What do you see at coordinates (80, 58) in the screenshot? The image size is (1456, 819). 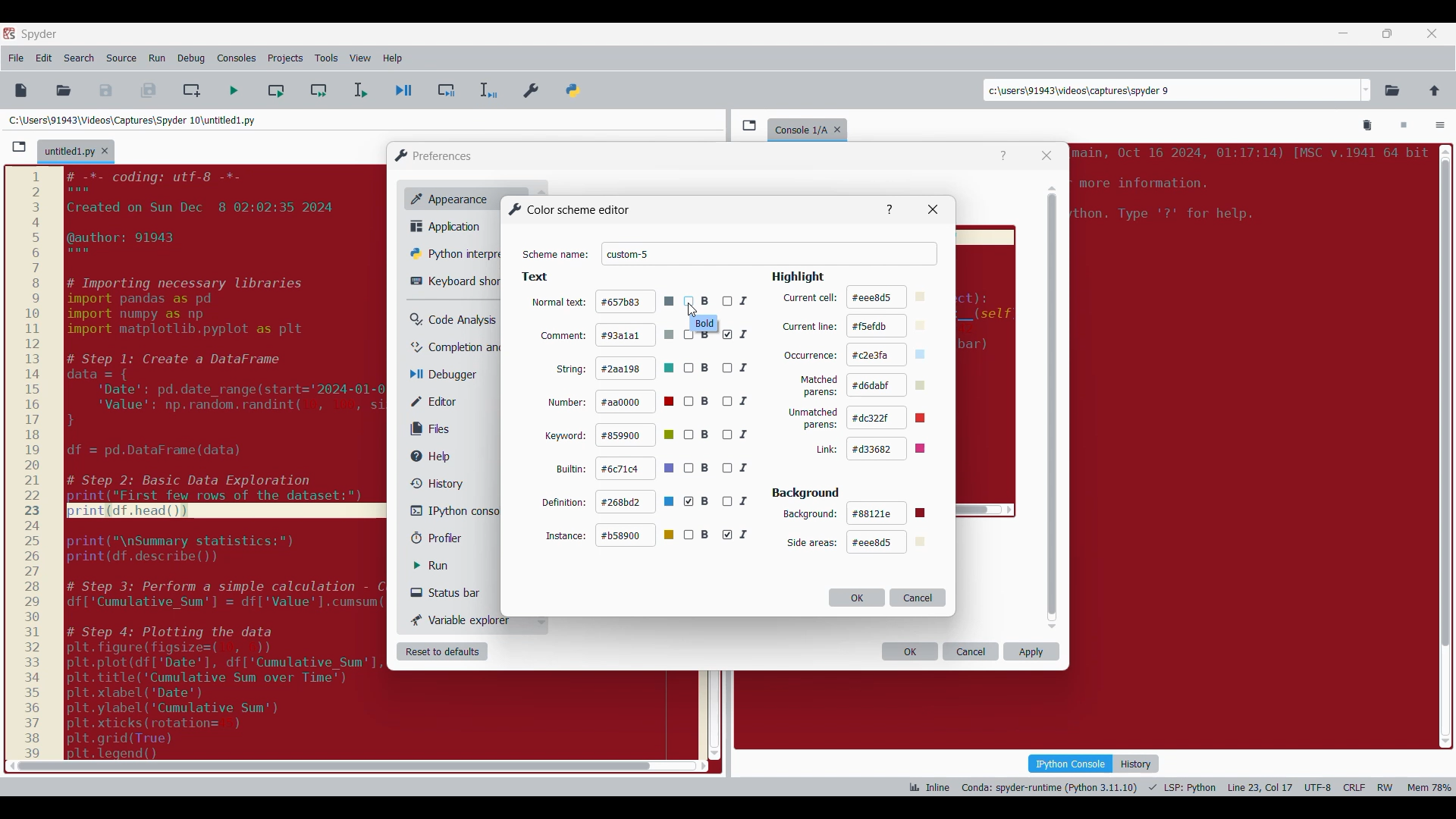 I see `Search menu` at bounding box center [80, 58].